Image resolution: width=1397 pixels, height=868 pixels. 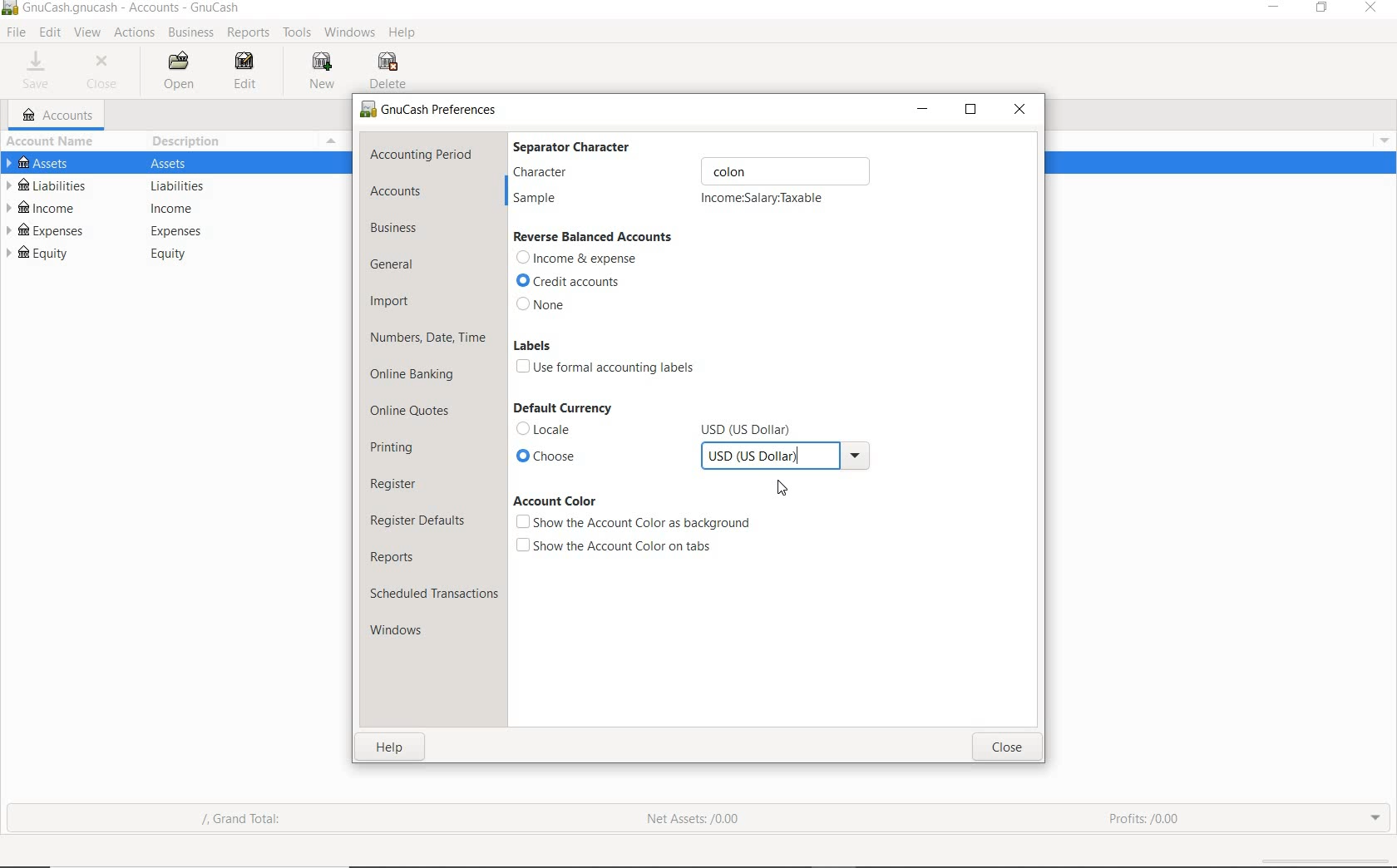 What do you see at coordinates (394, 446) in the screenshot?
I see `printing` at bounding box center [394, 446].